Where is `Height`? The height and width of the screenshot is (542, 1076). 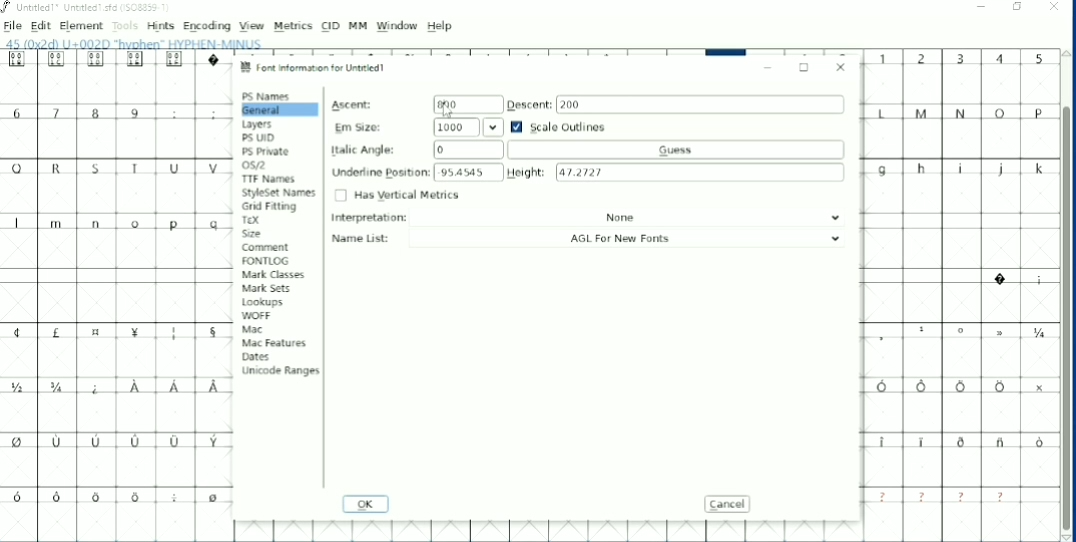
Height is located at coordinates (677, 171).